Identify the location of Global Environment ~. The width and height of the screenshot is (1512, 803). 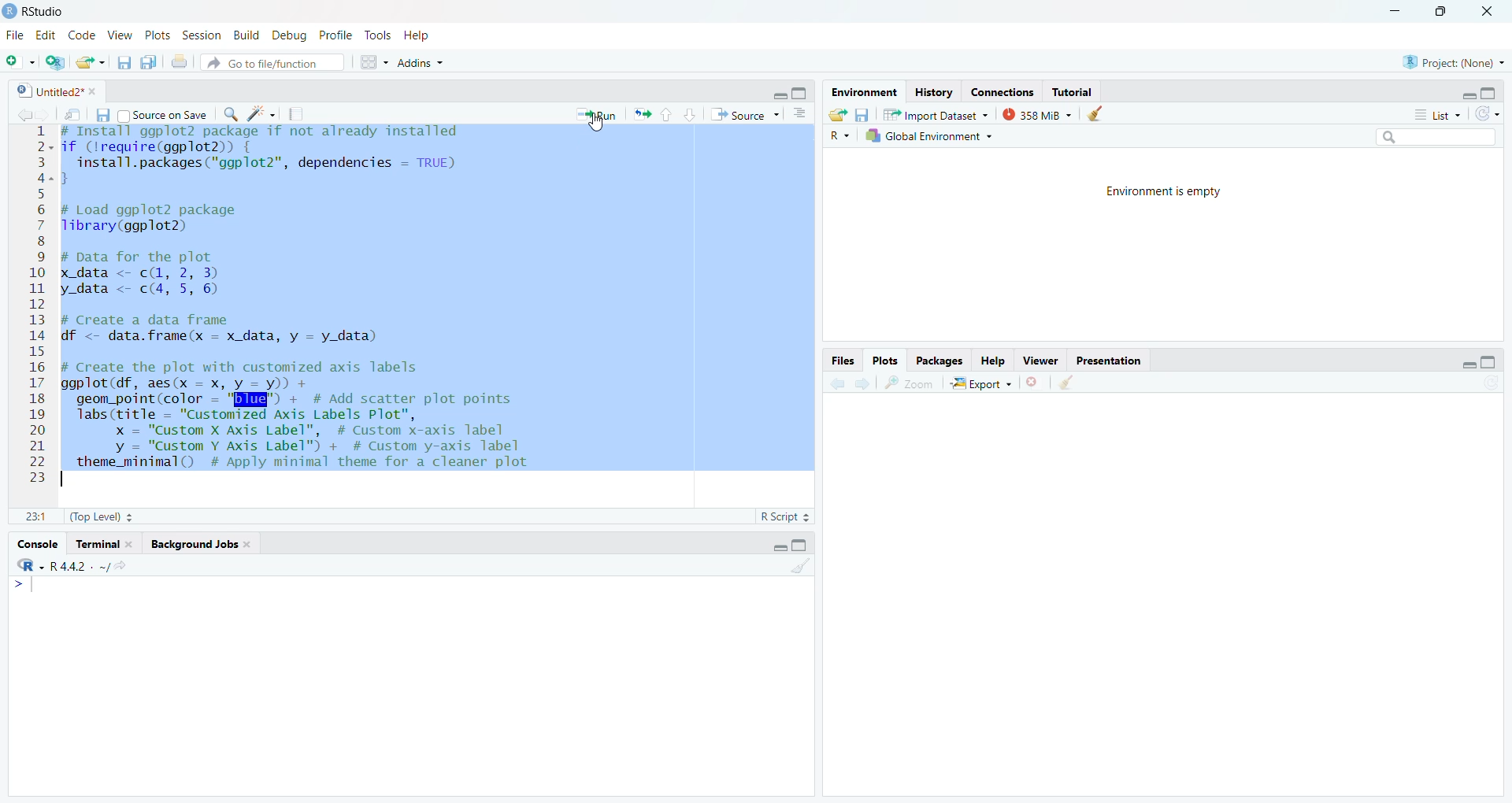
(929, 136).